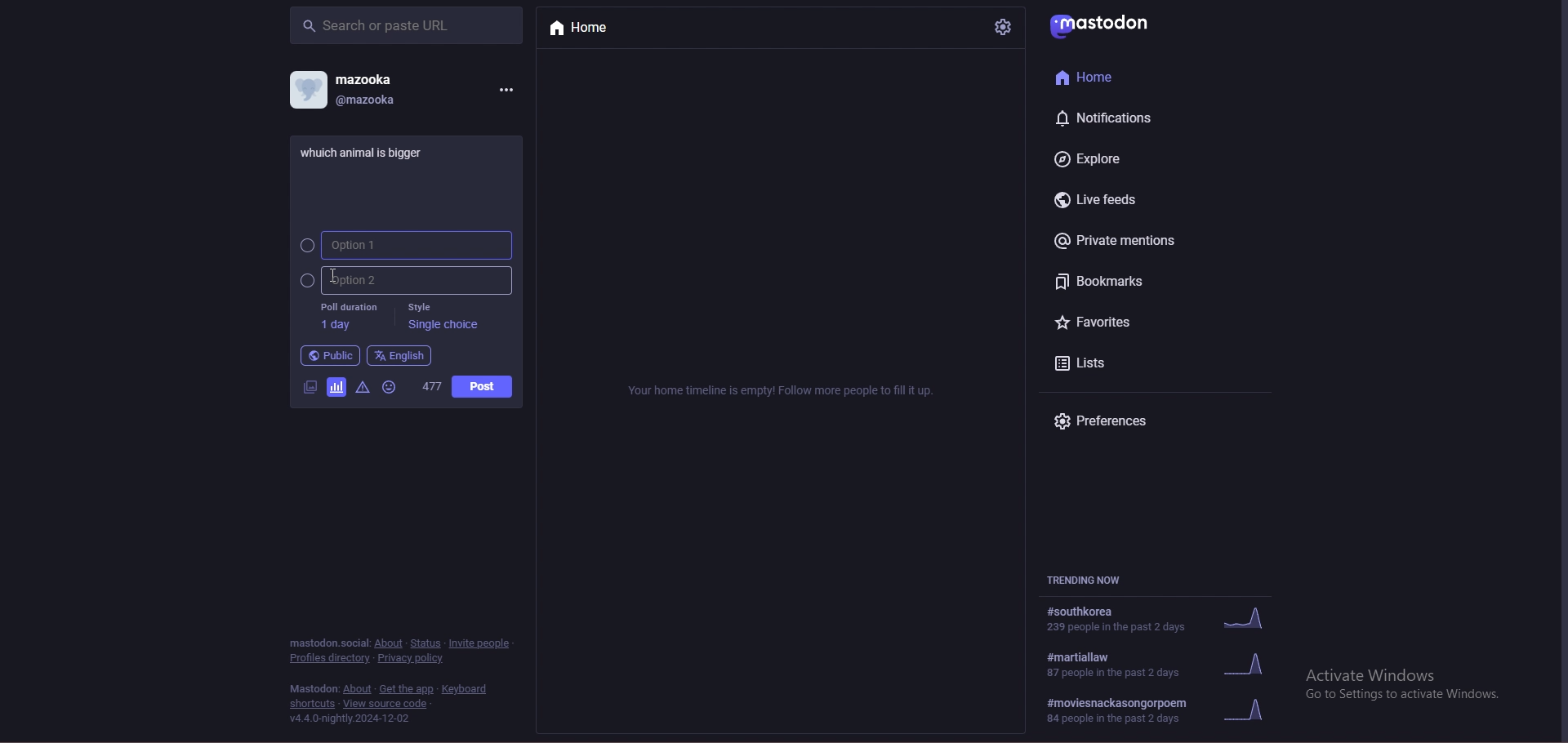 Image resolution: width=1568 pixels, height=743 pixels. What do you see at coordinates (363, 389) in the screenshot?
I see `warning` at bounding box center [363, 389].